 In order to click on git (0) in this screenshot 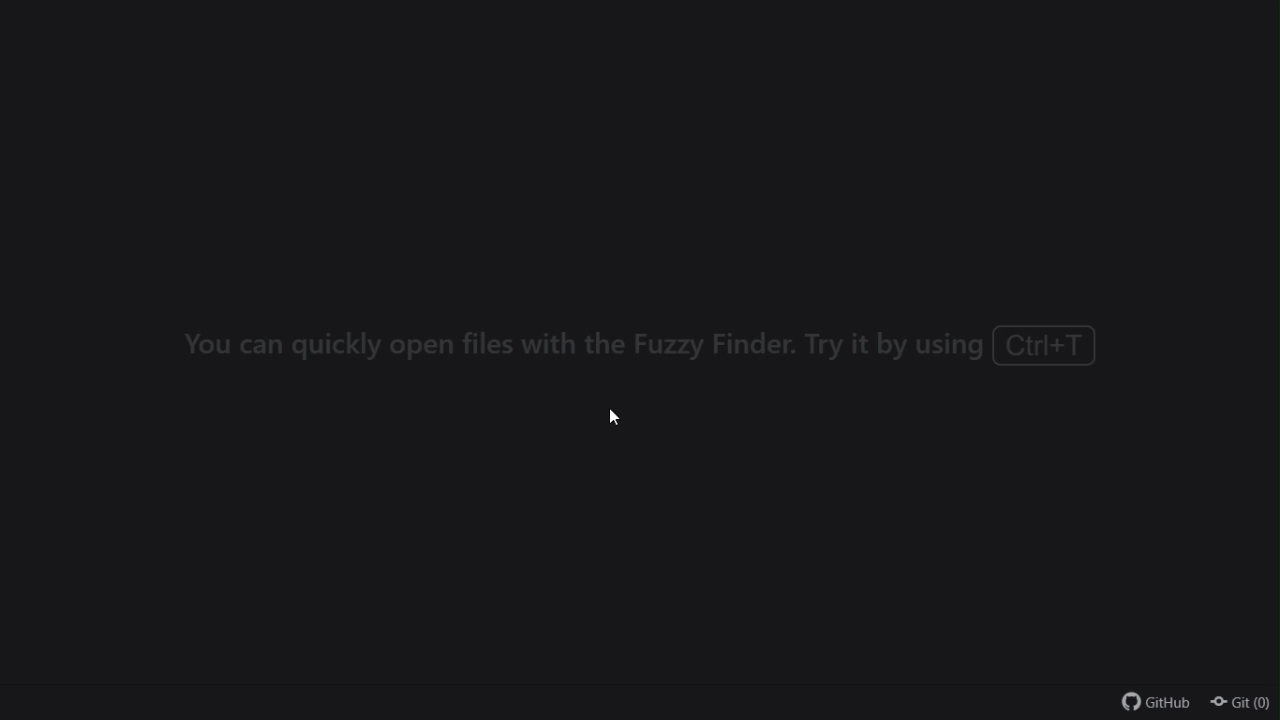, I will do `click(1241, 705)`.